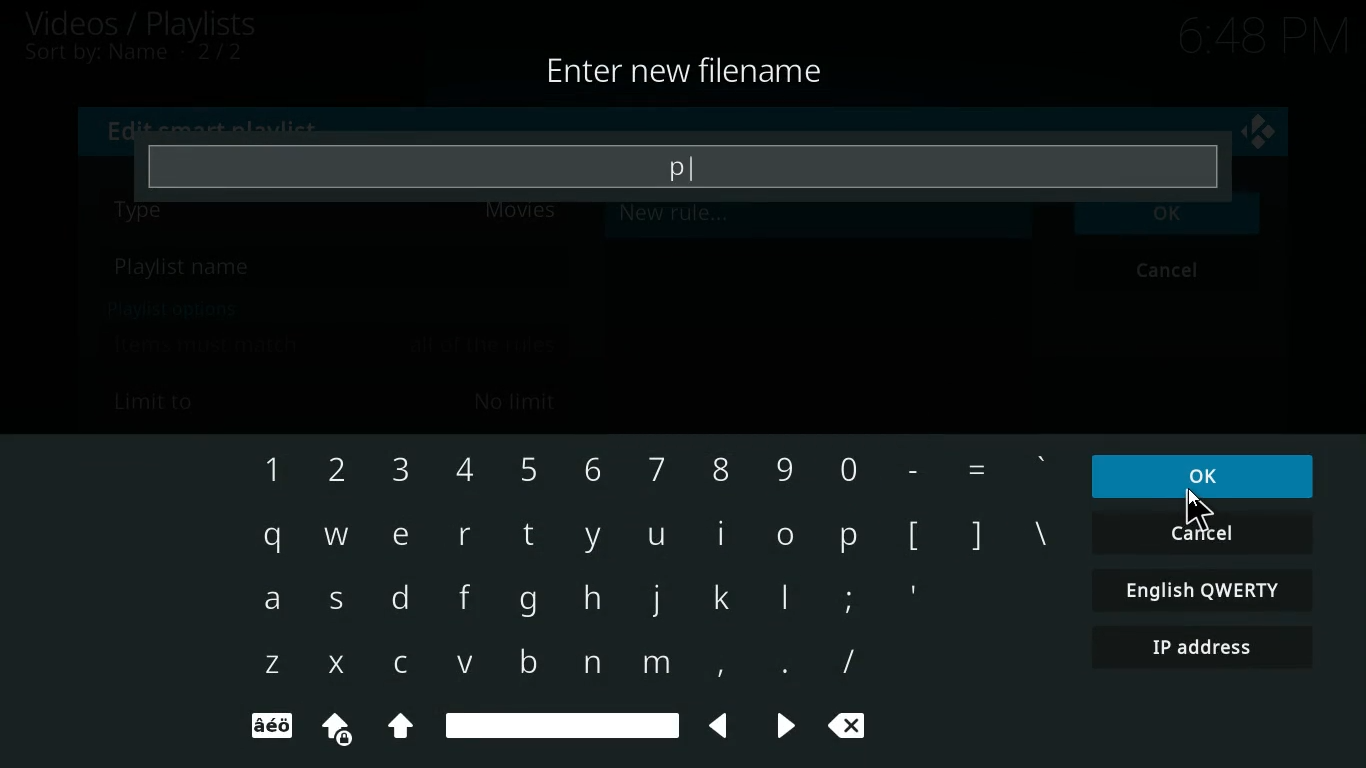 The height and width of the screenshot is (768, 1366). What do you see at coordinates (333, 269) in the screenshot?
I see `name` at bounding box center [333, 269].